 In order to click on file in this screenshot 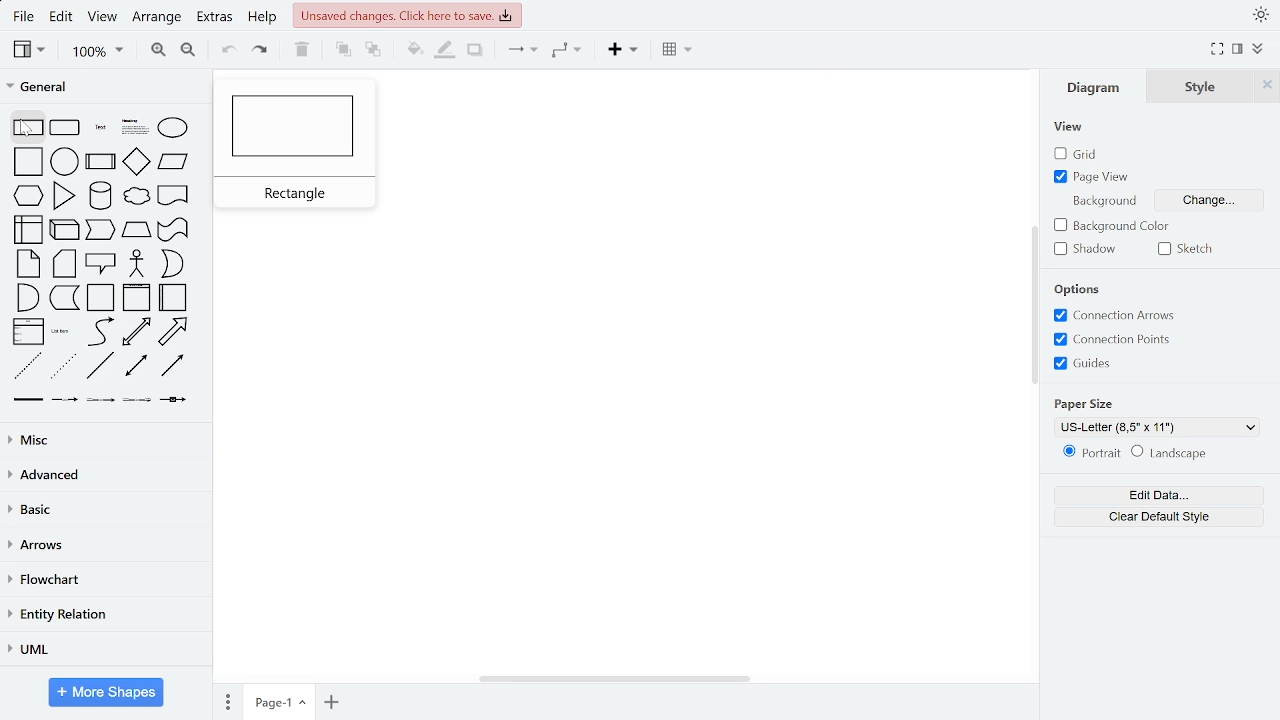, I will do `click(23, 18)`.